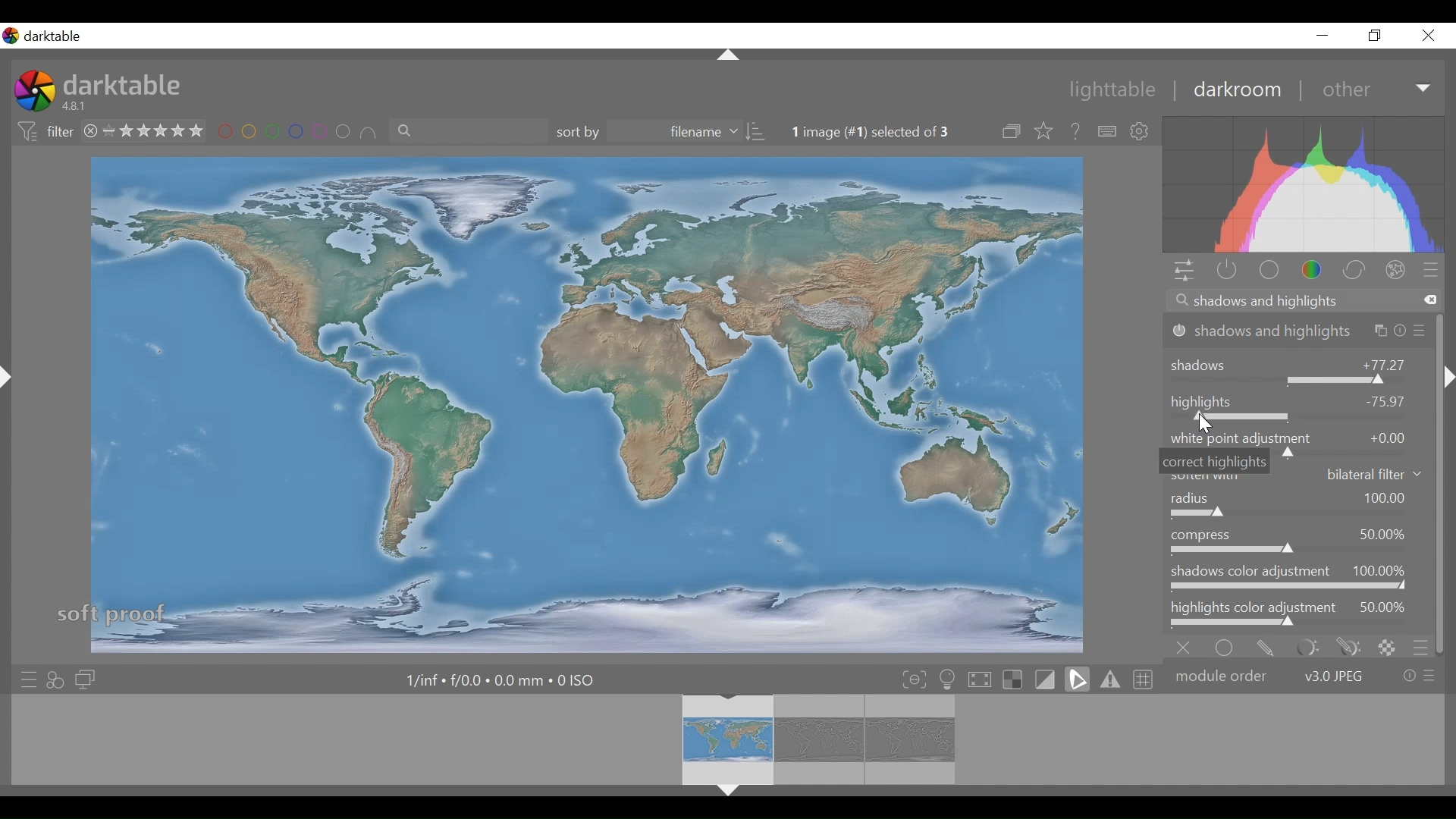  What do you see at coordinates (1215, 461) in the screenshot?
I see `correct highlights tooltip` at bounding box center [1215, 461].